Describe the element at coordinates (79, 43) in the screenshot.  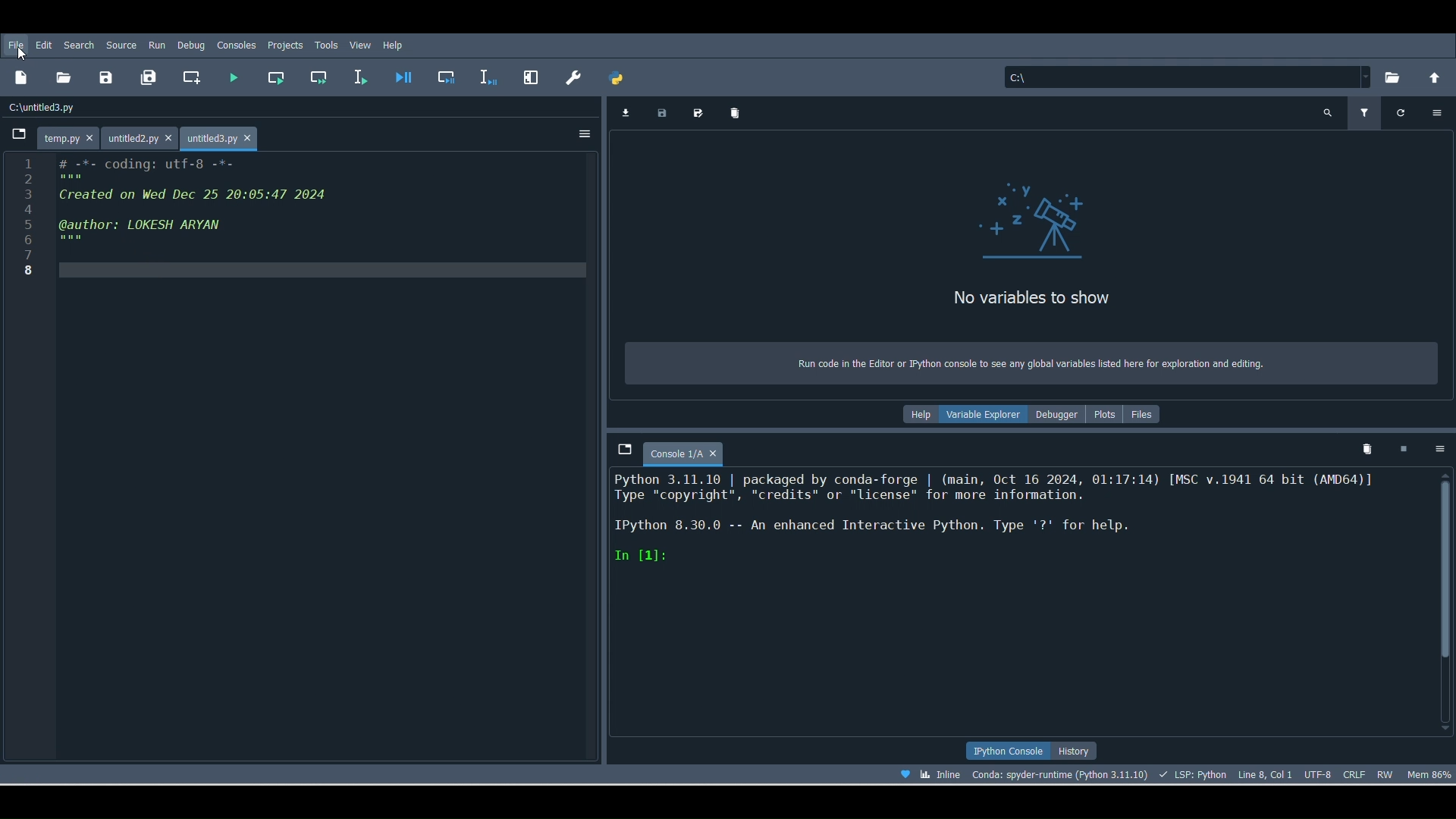
I see `Search` at that location.